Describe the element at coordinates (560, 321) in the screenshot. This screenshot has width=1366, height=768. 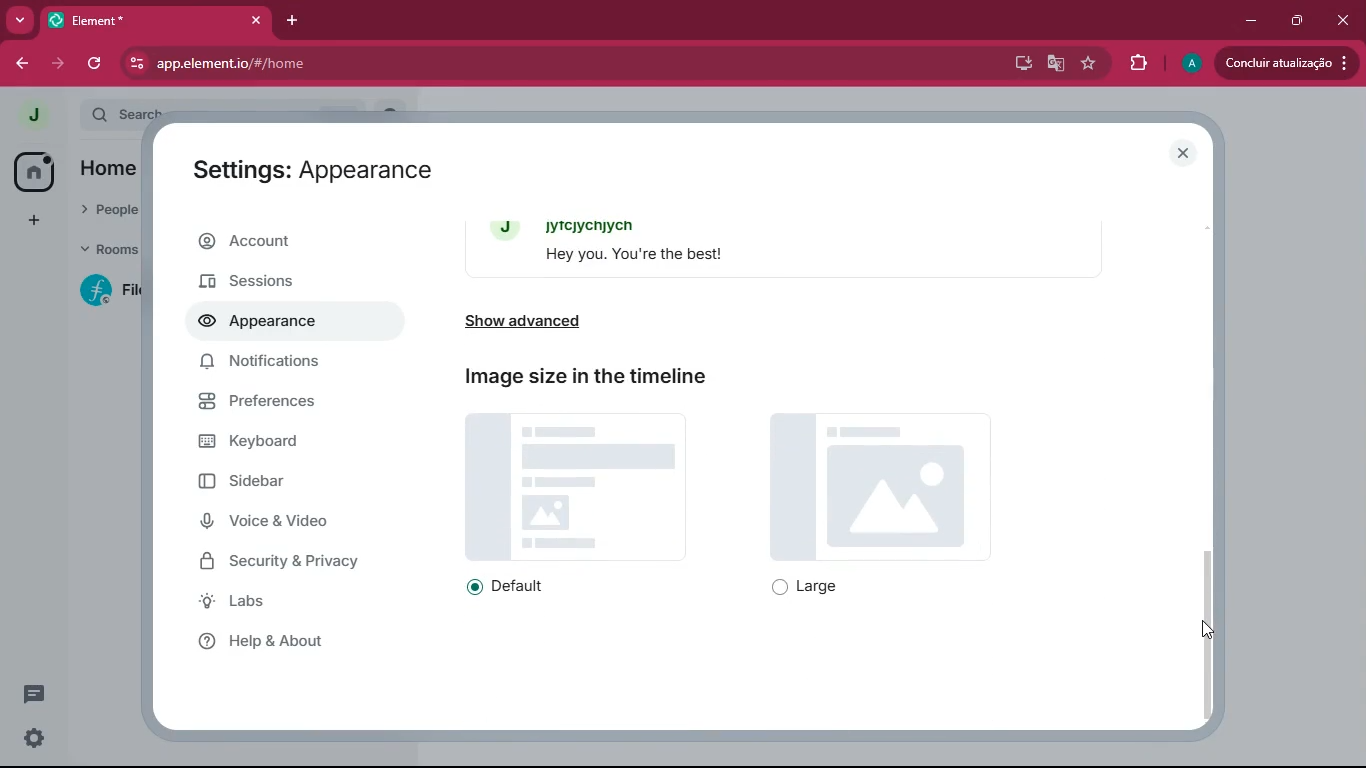
I see `show advanced` at that location.